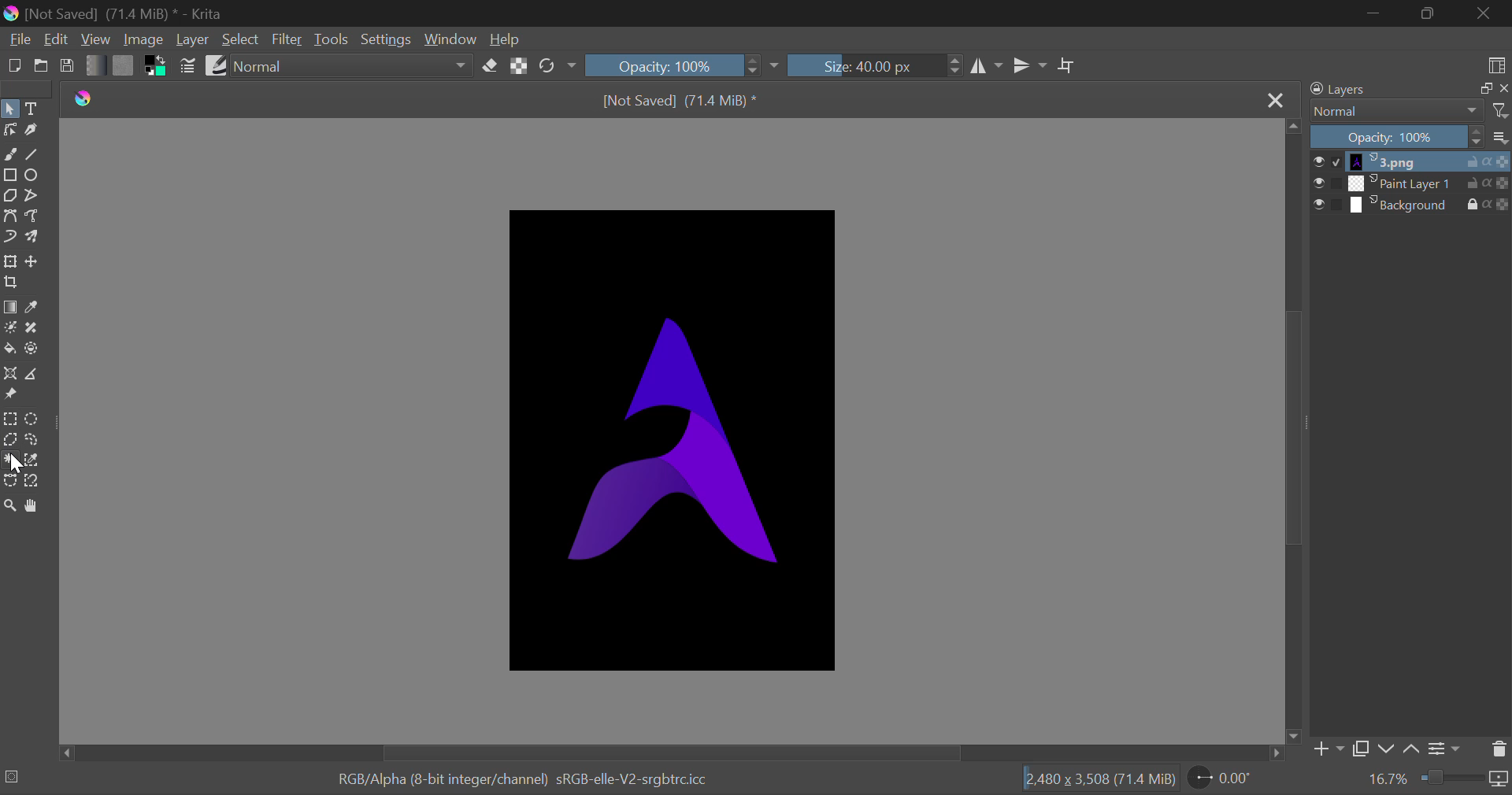  What do you see at coordinates (35, 239) in the screenshot?
I see `Multibrush Tool` at bounding box center [35, 239].